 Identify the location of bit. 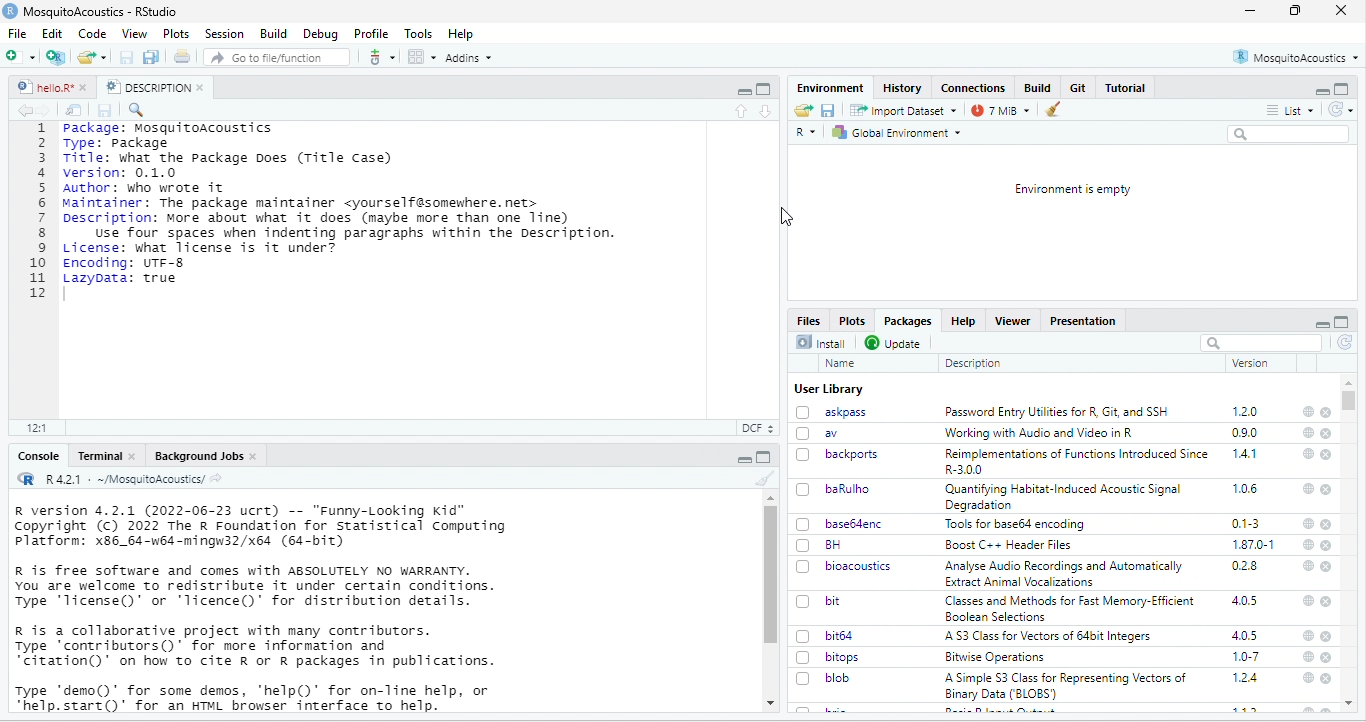
(820, 600).